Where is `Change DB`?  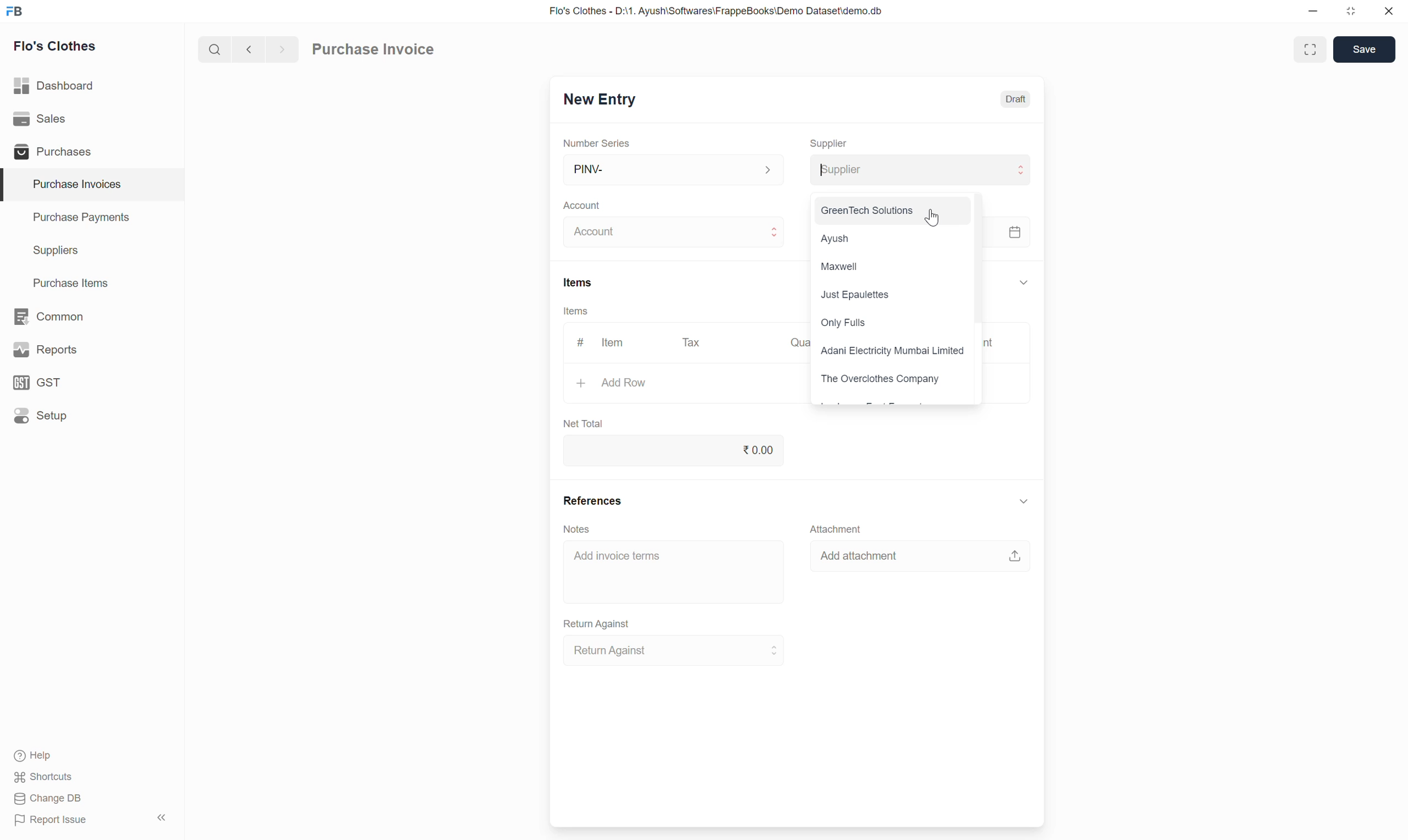
Change DB is located at coordinates (49, 799).